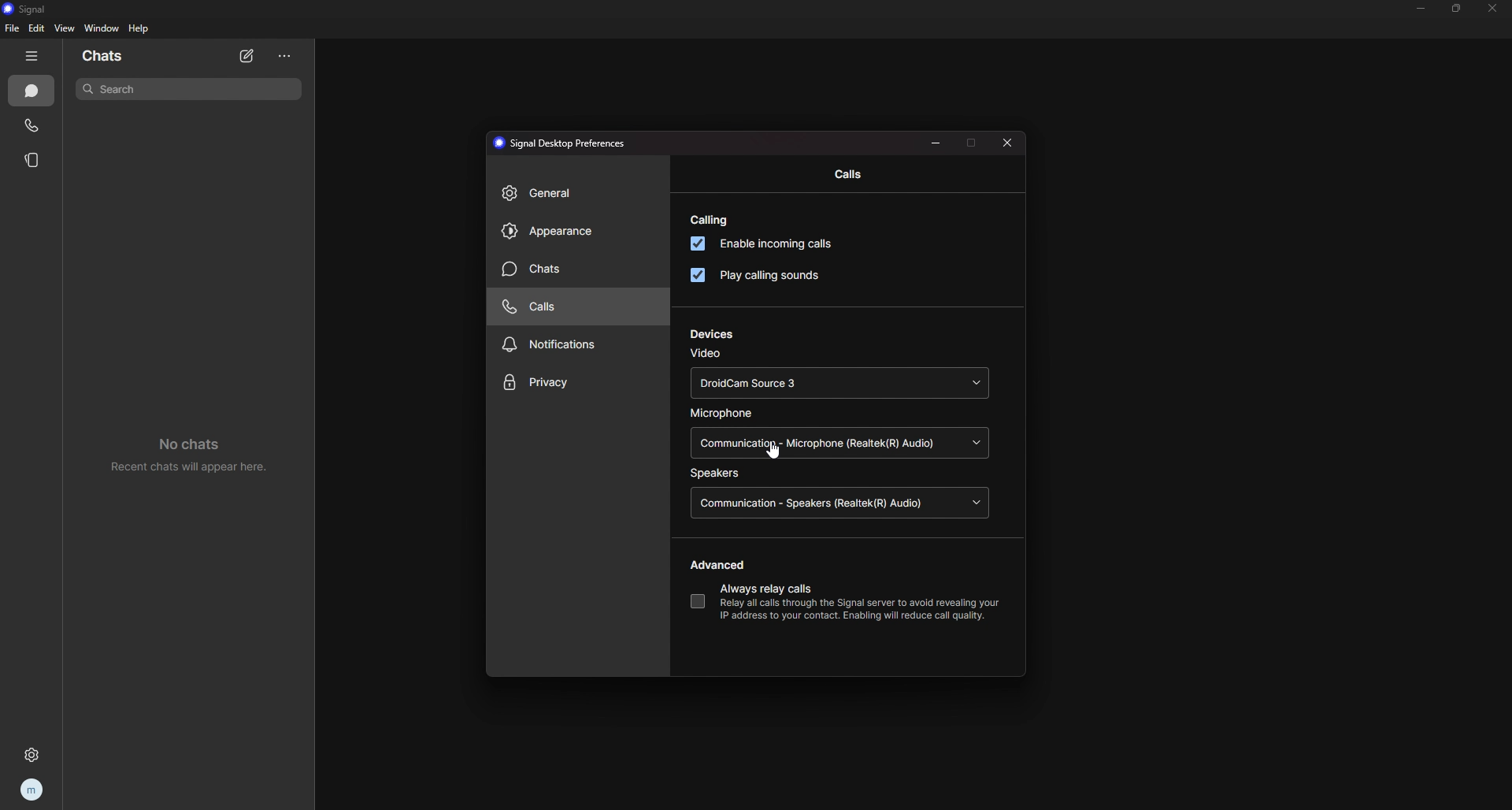  Describe the element at coordinates (714, 334) in the screenshot. I see `devices` at that location.